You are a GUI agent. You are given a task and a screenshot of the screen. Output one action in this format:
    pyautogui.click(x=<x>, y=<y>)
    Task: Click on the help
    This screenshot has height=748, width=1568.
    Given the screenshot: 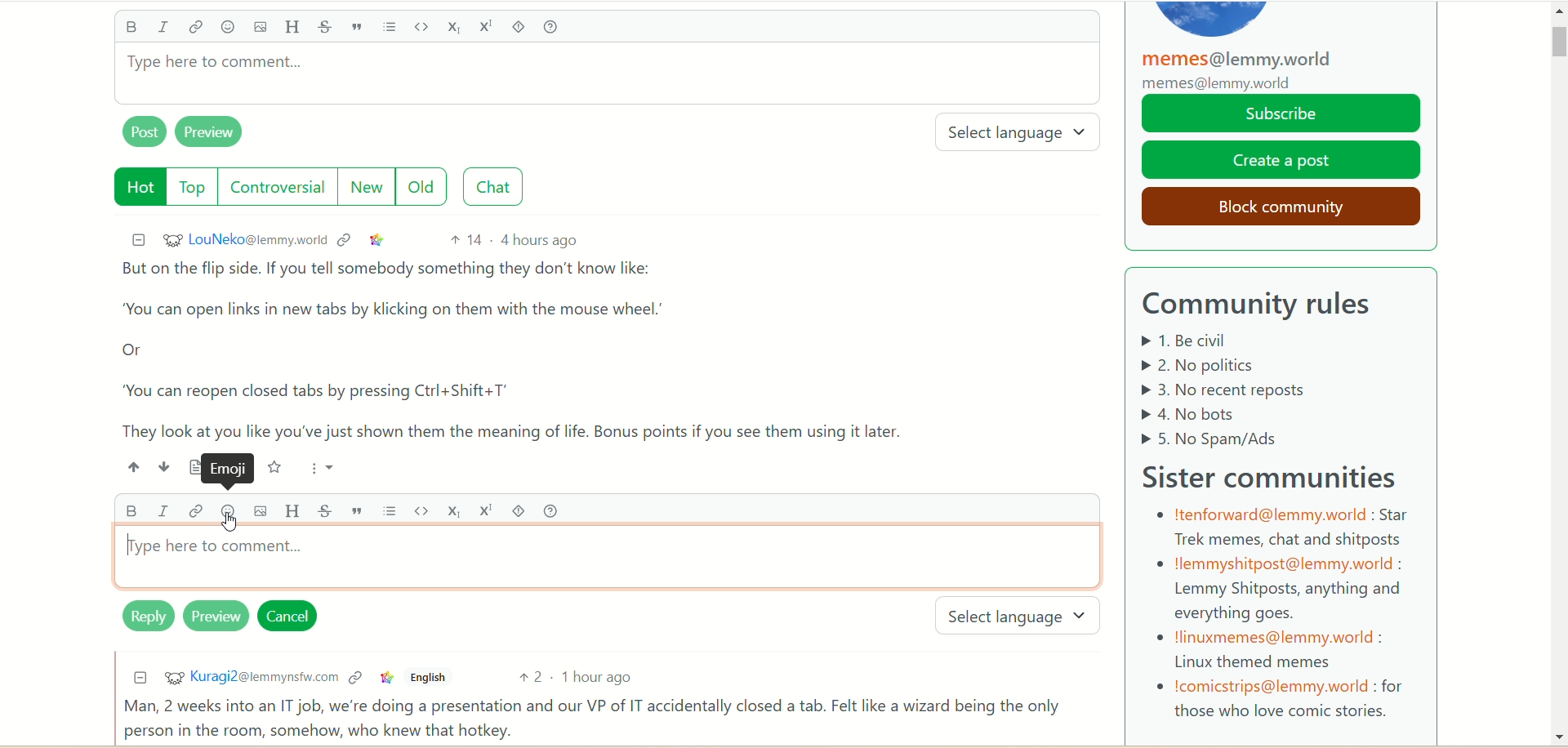 What is the action you would take?
    pyautogui.click(x=560, y=28)
    